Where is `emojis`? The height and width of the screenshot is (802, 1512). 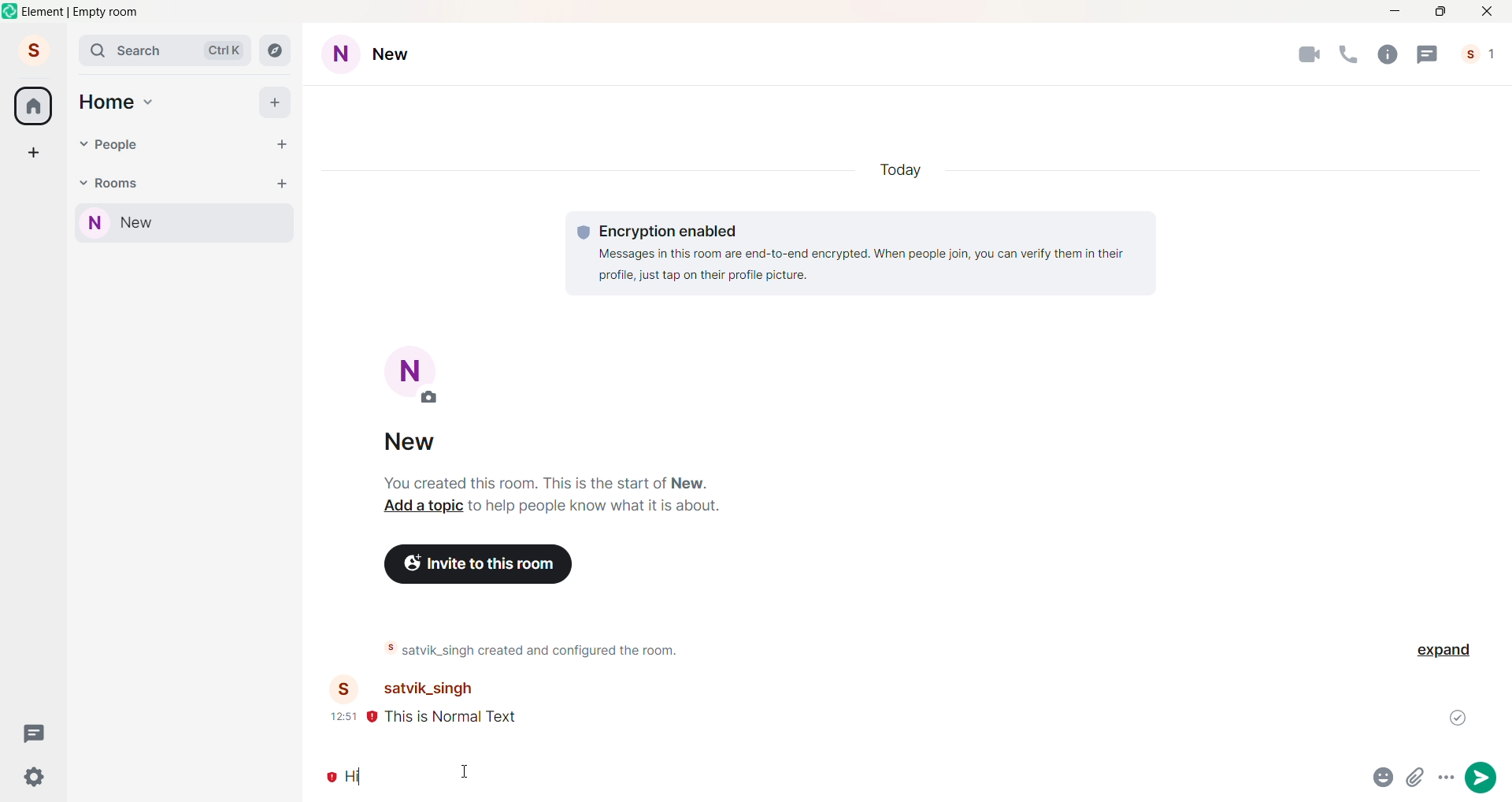
emojis is located at coordinates (1384, 778).